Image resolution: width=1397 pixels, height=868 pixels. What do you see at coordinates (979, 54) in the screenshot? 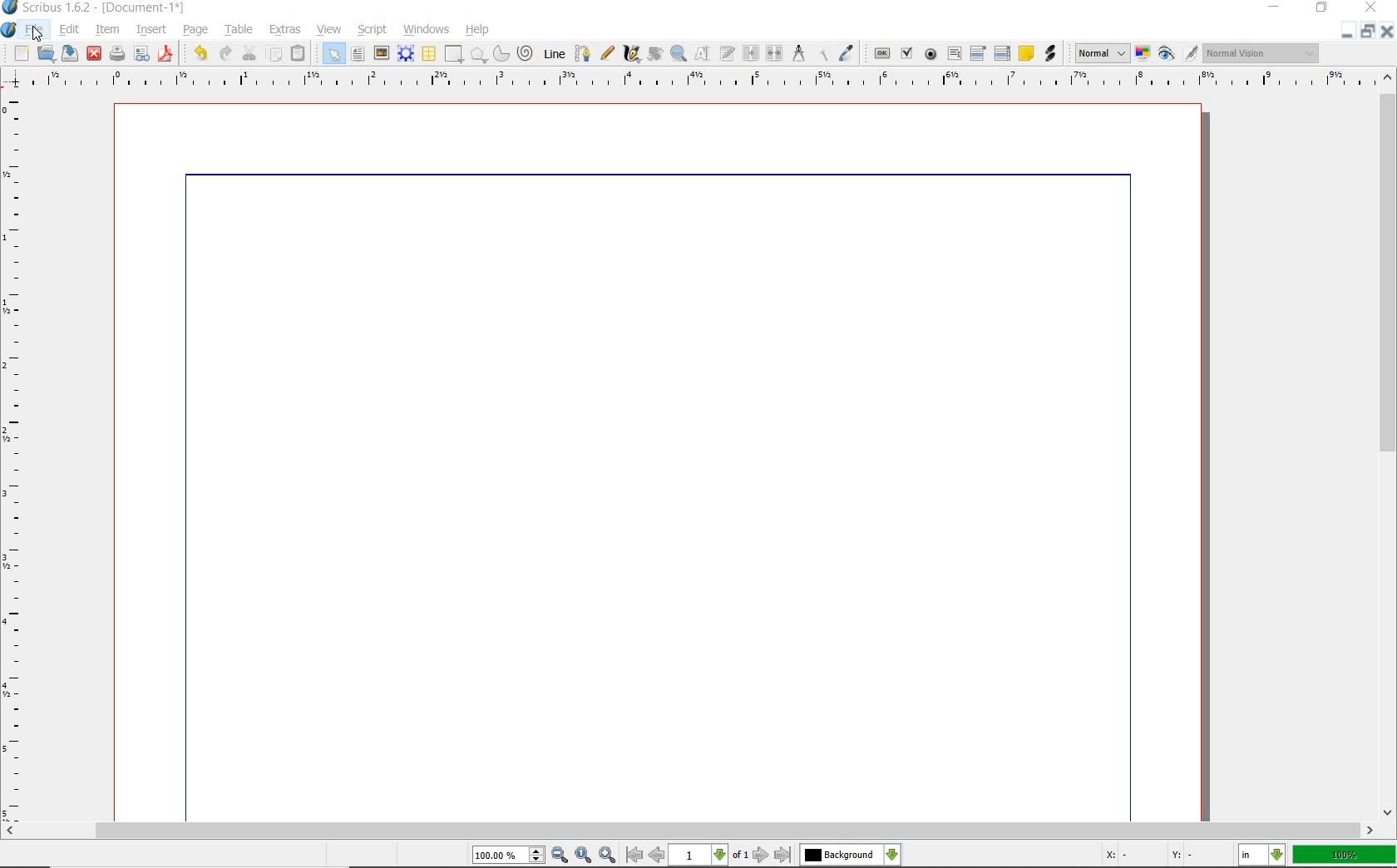
I see `pdf combo box` at bounding box center [979, 54].